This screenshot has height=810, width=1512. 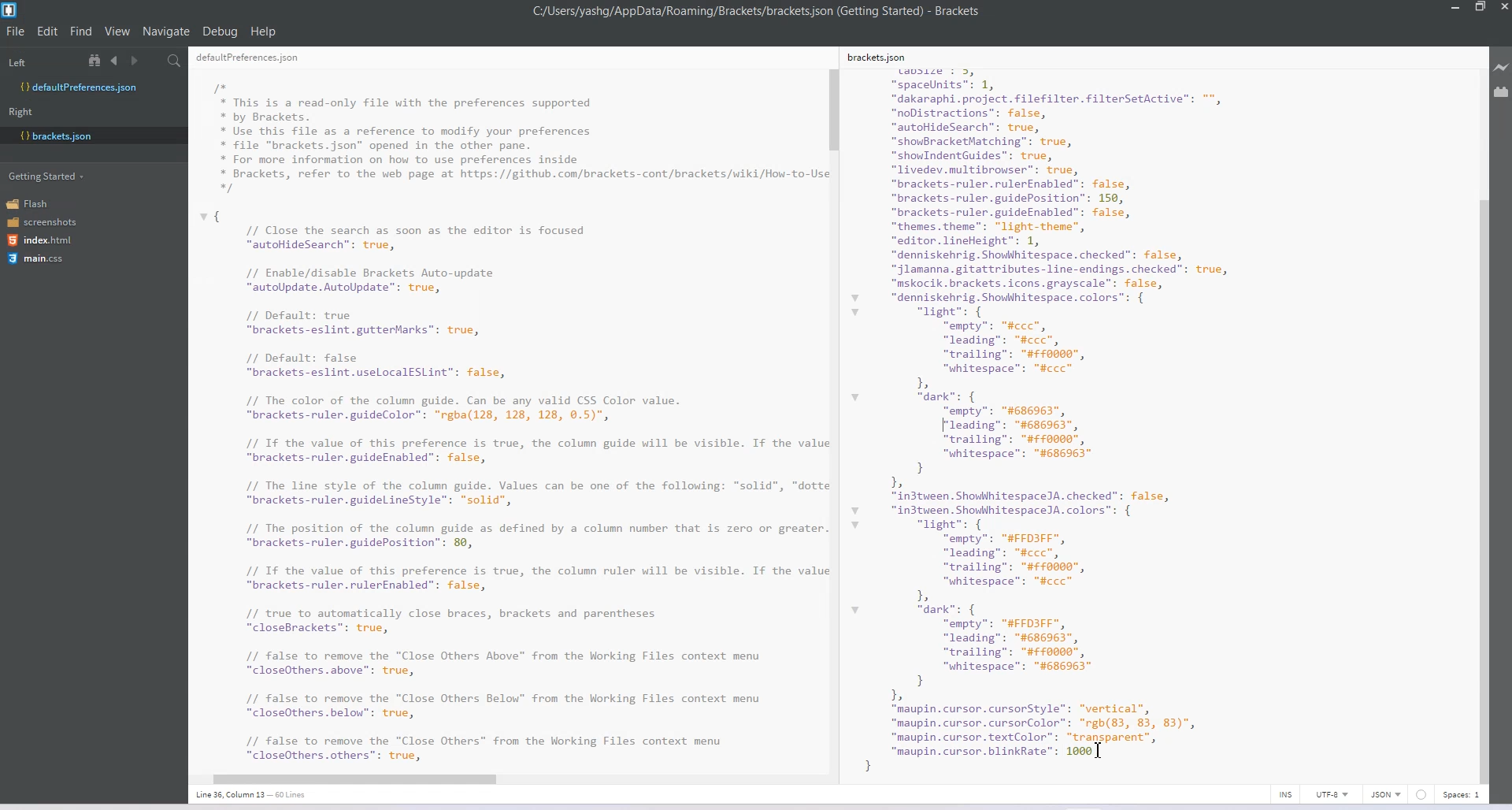 I want to click on Navigate Forward, so click(x=136, y=61).